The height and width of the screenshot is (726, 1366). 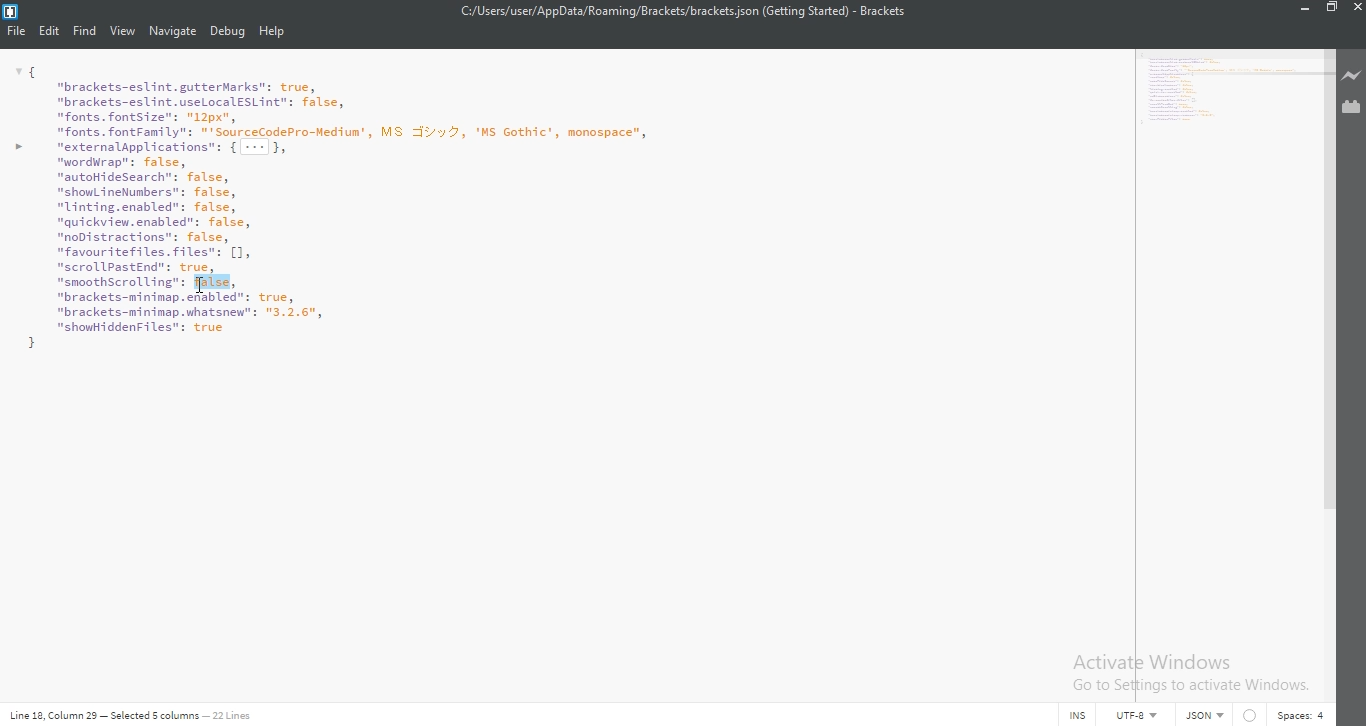 What do you see at coordinates (85, 32) in the screenshot?
I see `Find` at bounding box center [85, 32].